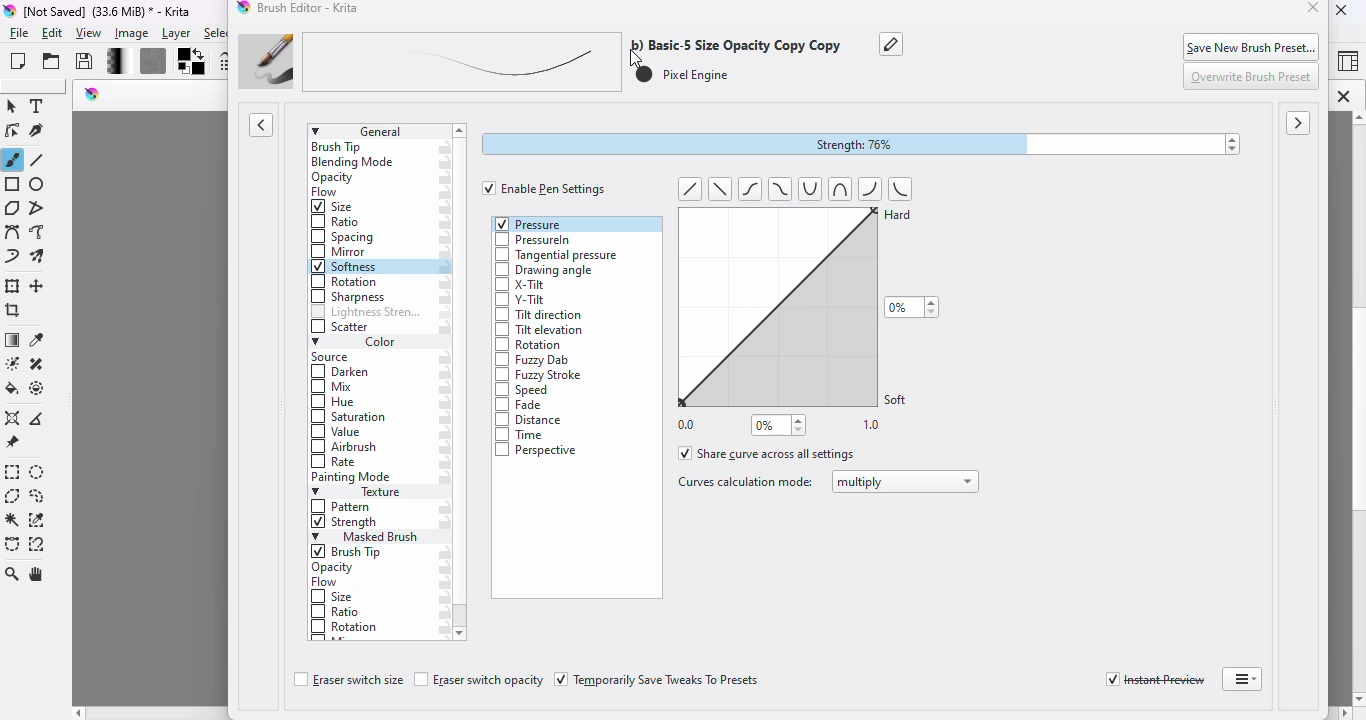 The width and height of the screenshot is (1366, 720). What do you see at coordinates (149, 62) in the screenshot?
I see `fill patterns` at bounding box center [149, 62].